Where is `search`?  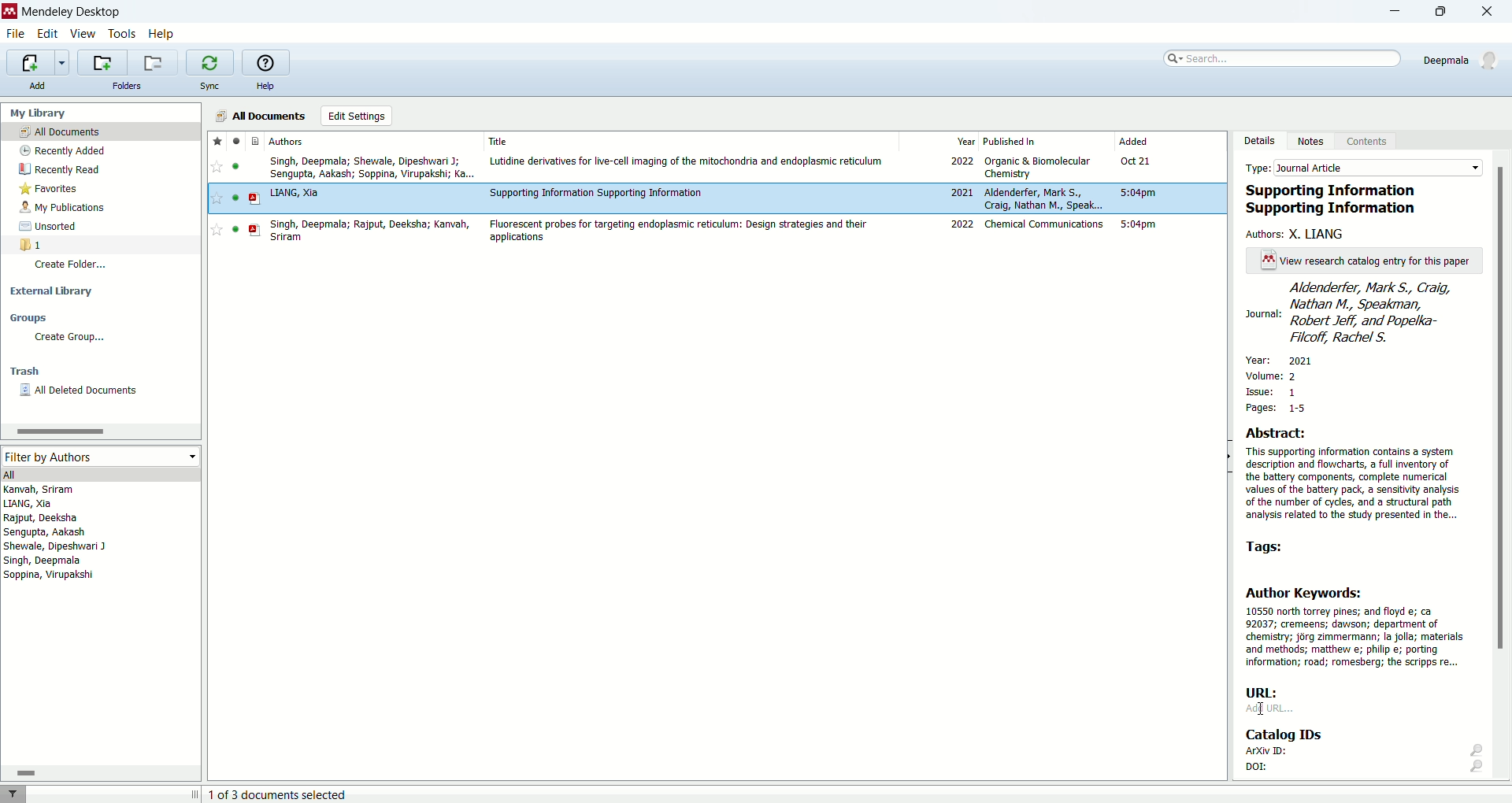
search is located at coordinates (1284, 58).